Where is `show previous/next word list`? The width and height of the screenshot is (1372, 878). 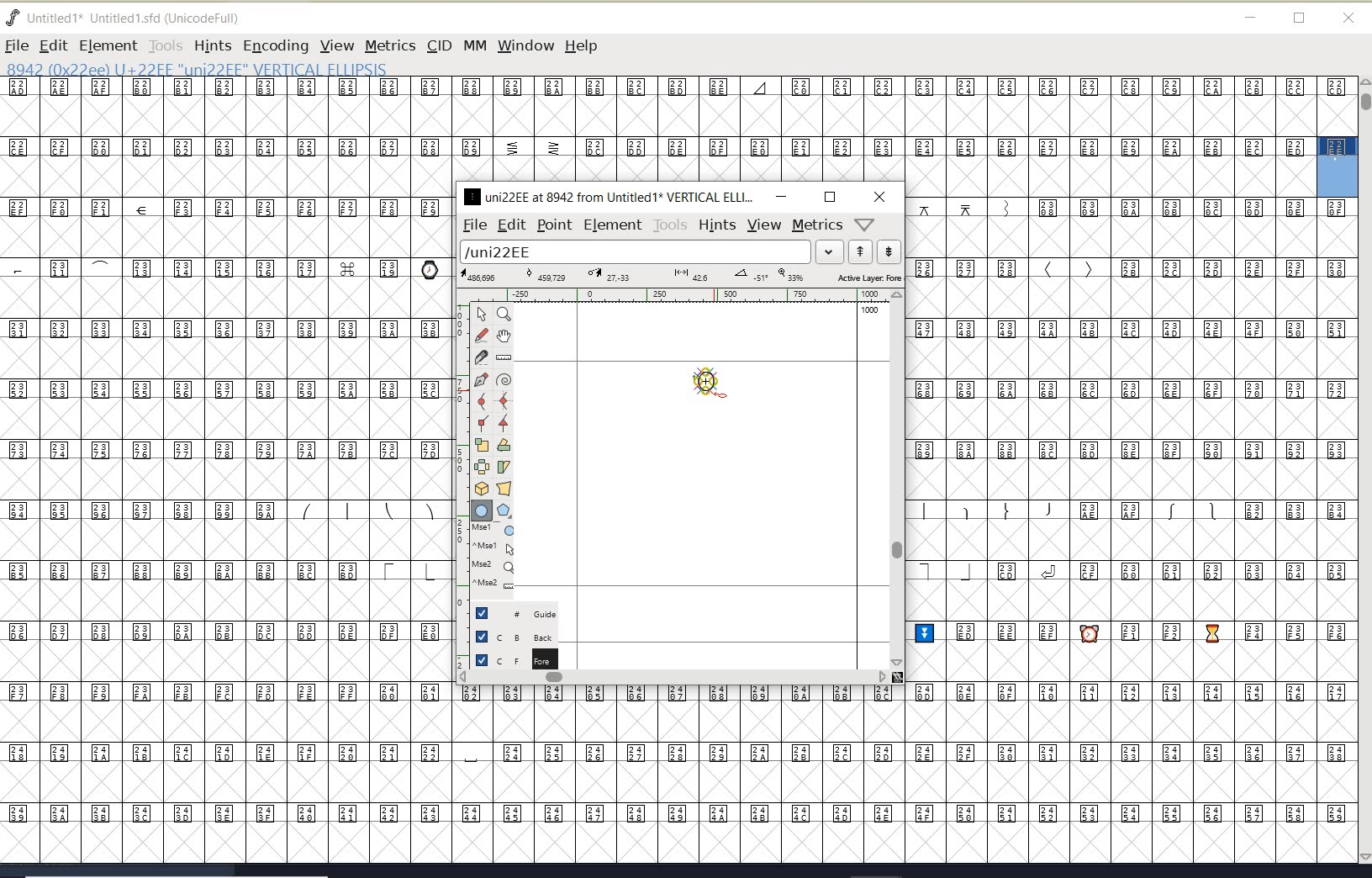
show previous/next word list is located at coordinates (876, 253).